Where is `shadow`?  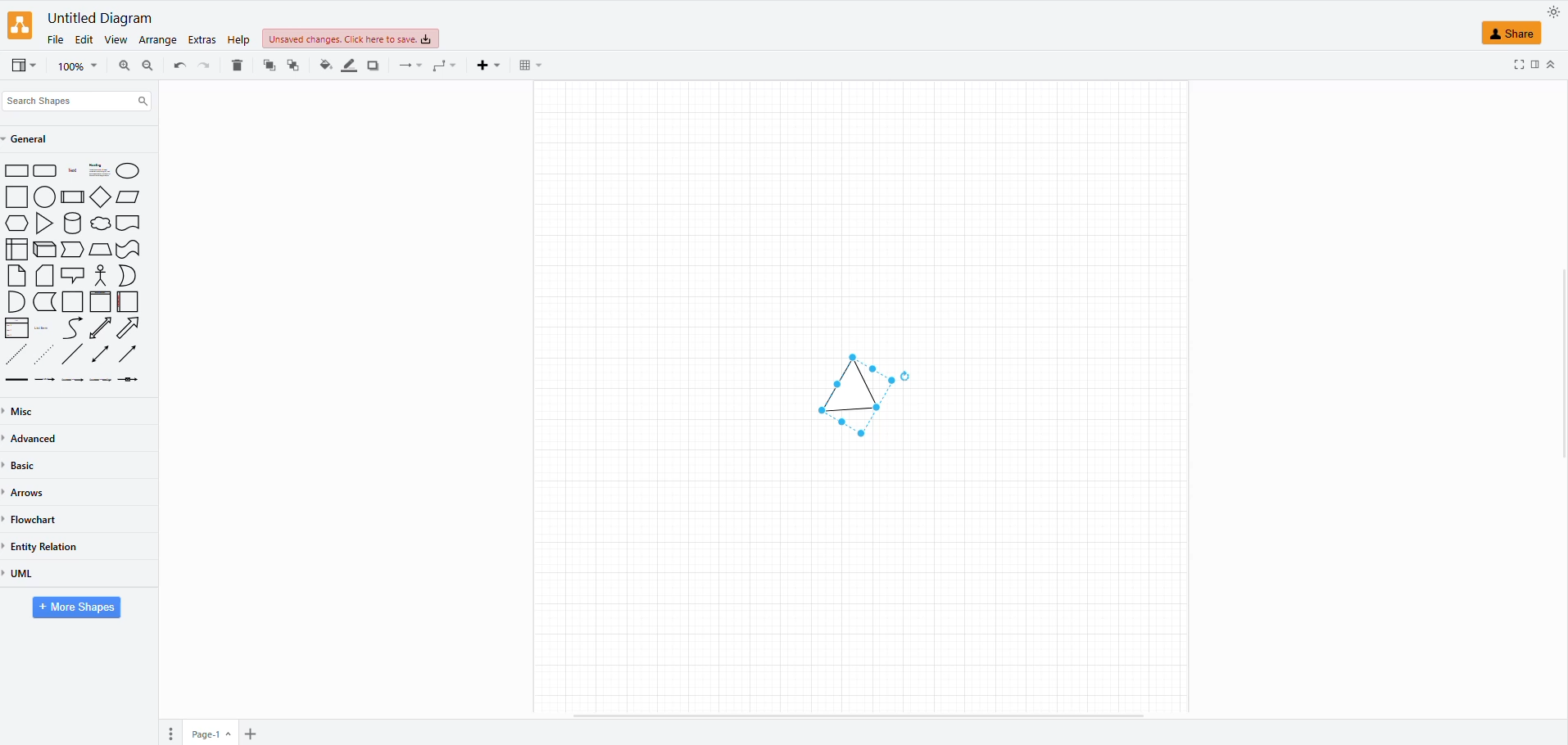
shadow is located at coordinates (372, 63).